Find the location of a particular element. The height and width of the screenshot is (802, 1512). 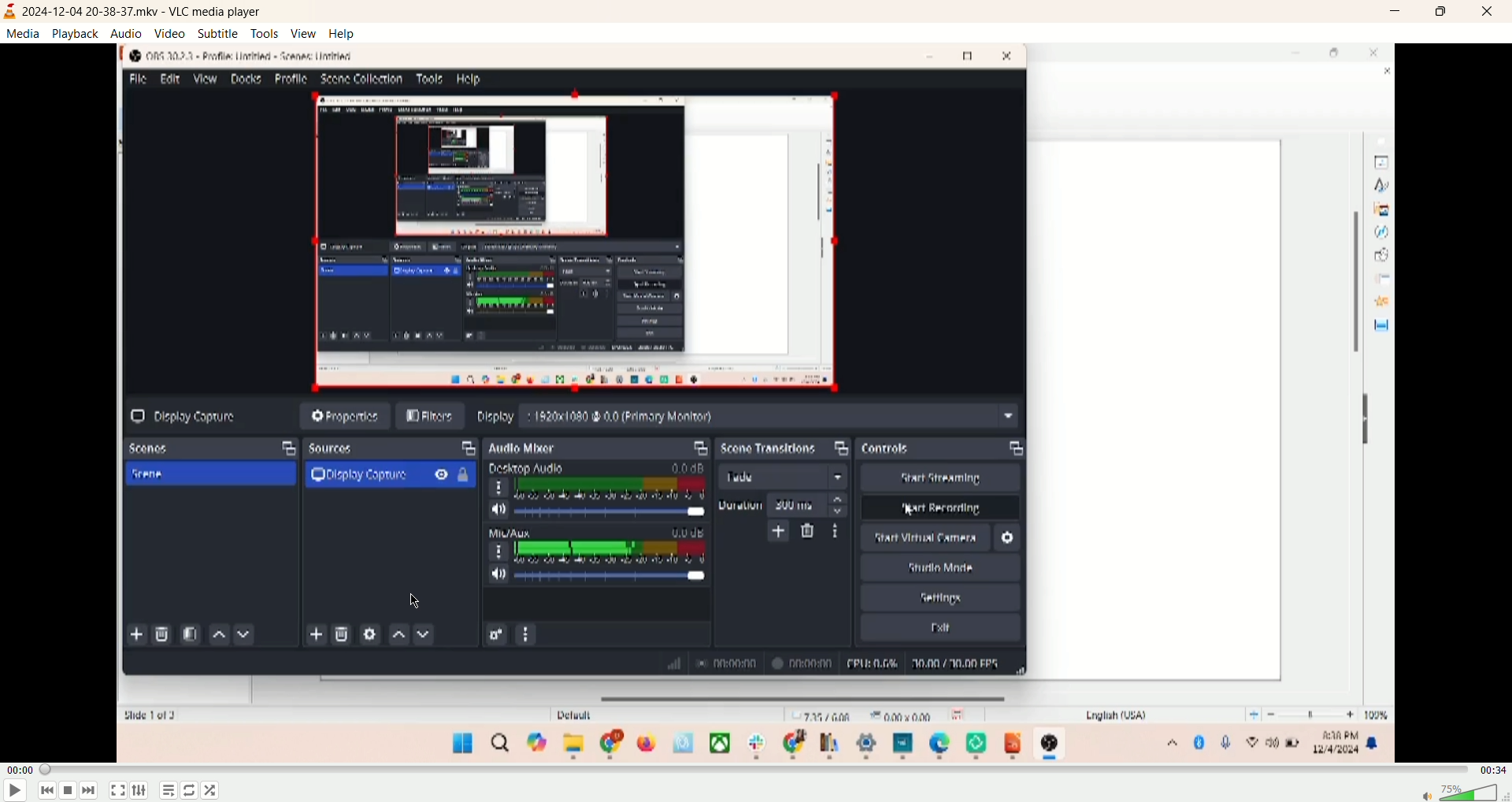

toggle loop none is located at coordinates (189, 791).